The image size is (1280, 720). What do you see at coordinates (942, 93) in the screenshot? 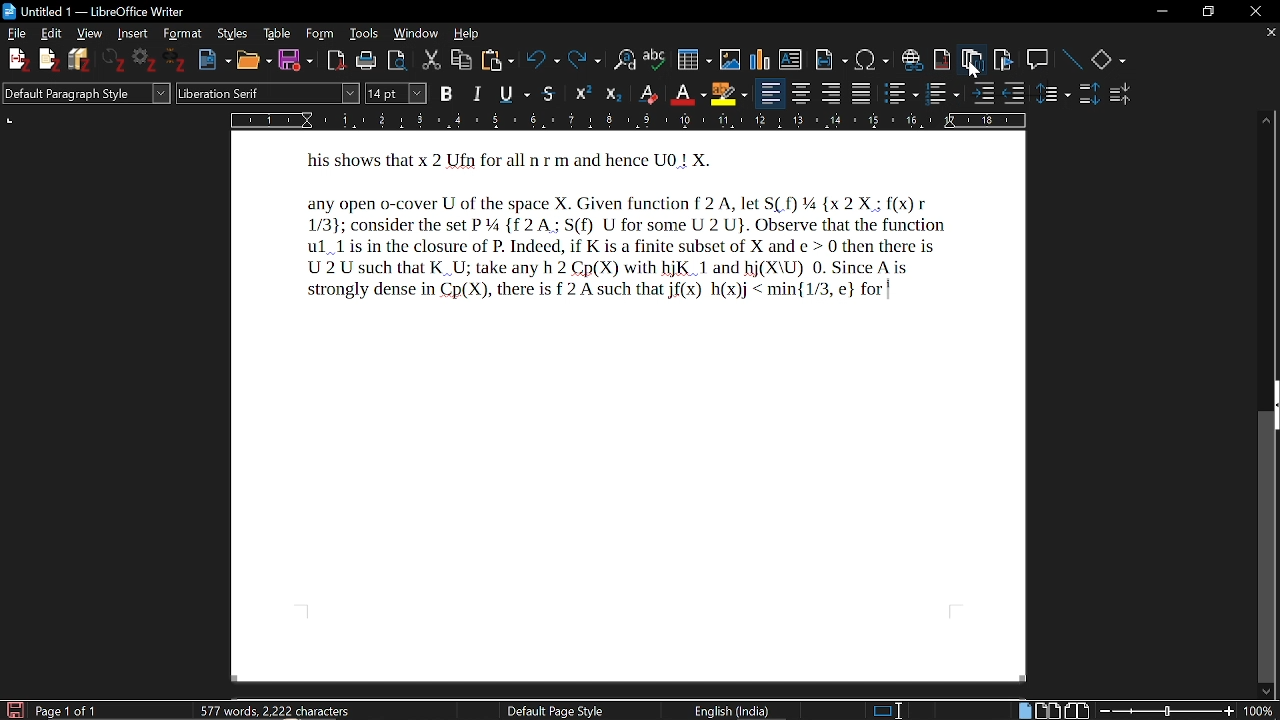
I see `Toggle unordered list` at bounding box center [942, 93].